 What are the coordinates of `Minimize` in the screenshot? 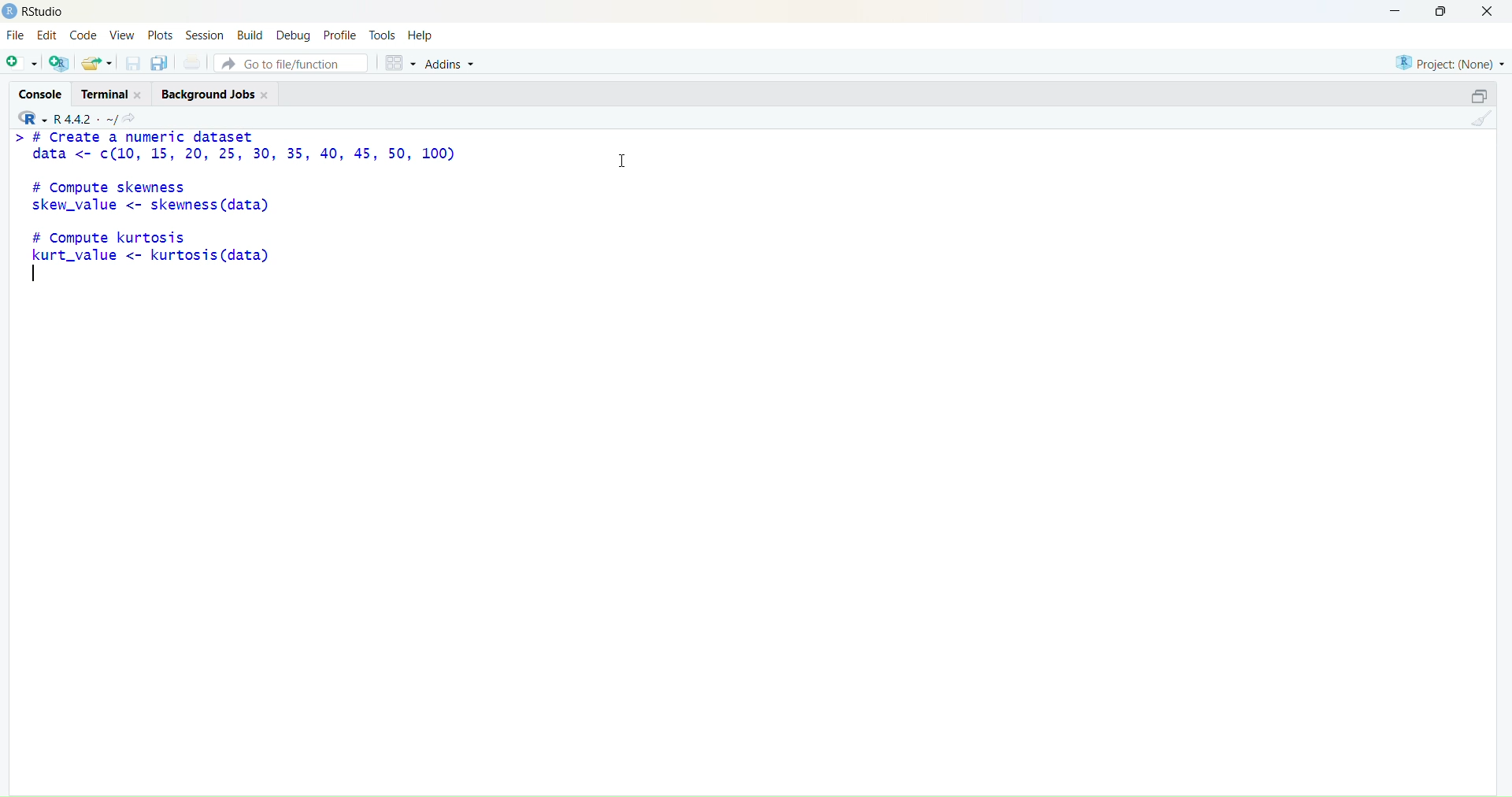 It's located at (1397, 12).